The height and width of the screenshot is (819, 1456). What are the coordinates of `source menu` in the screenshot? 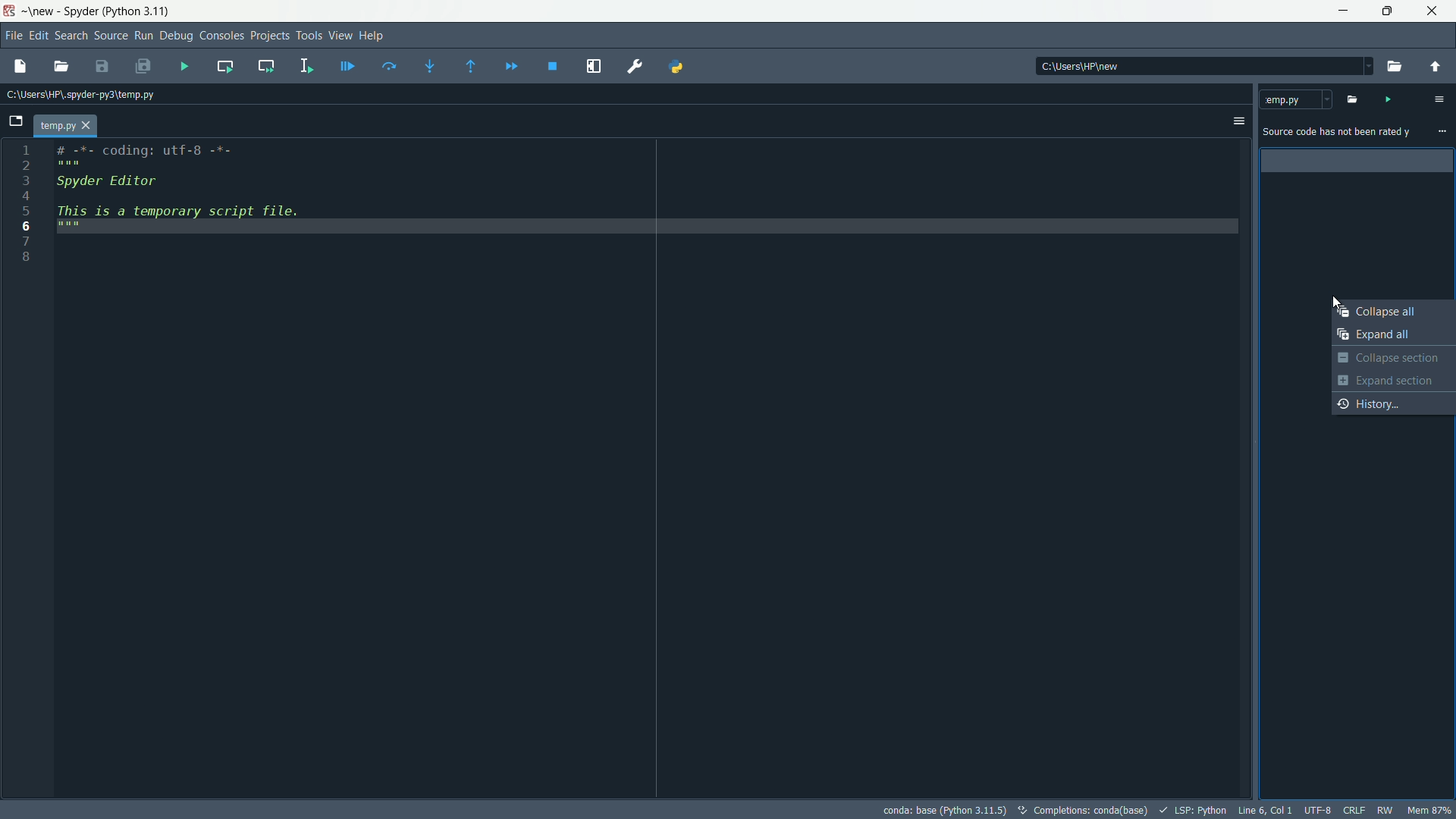 It's located at (110, 37).